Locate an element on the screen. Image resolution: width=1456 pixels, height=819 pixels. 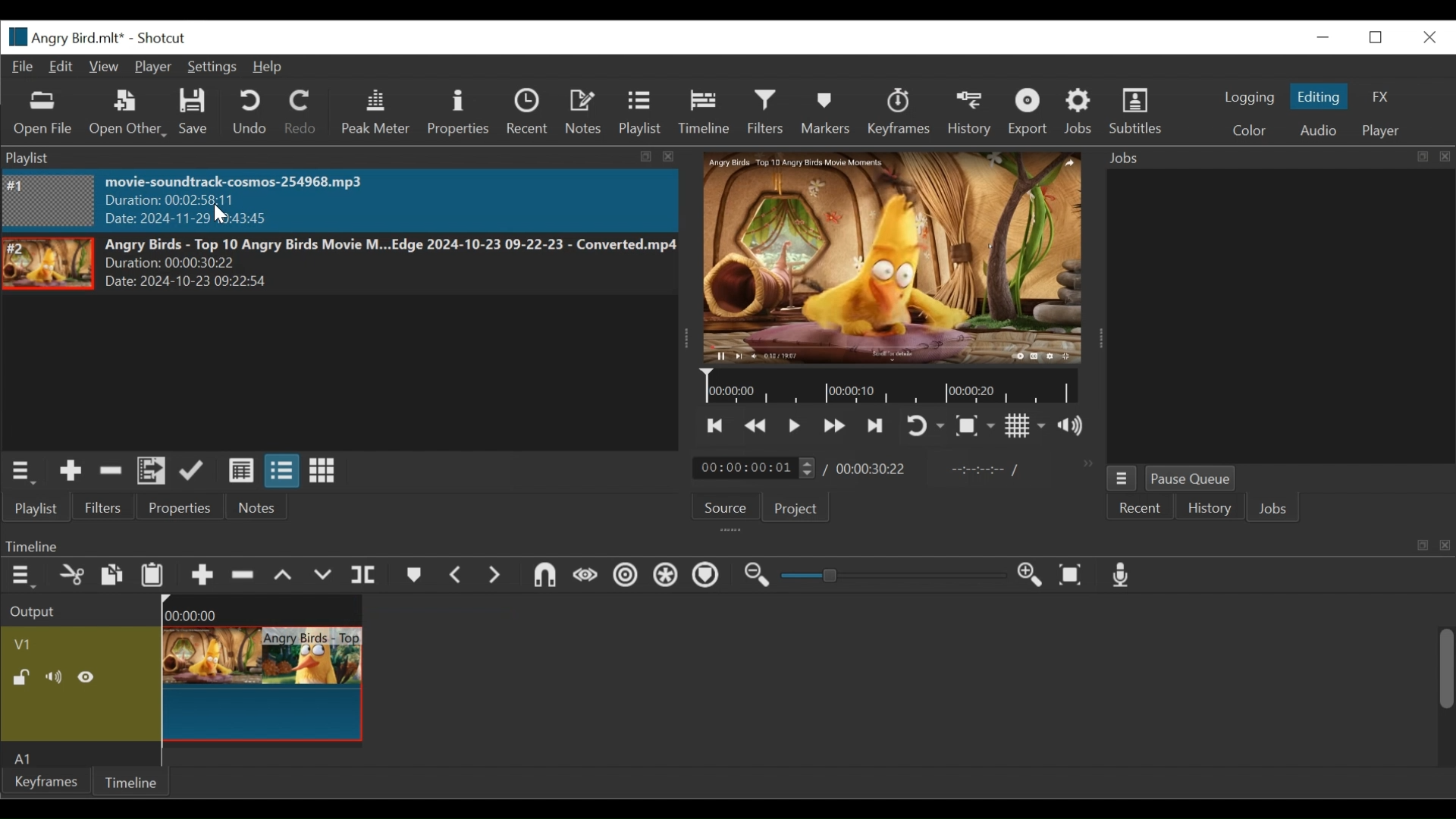
Player is located at coordinates (151, 67).